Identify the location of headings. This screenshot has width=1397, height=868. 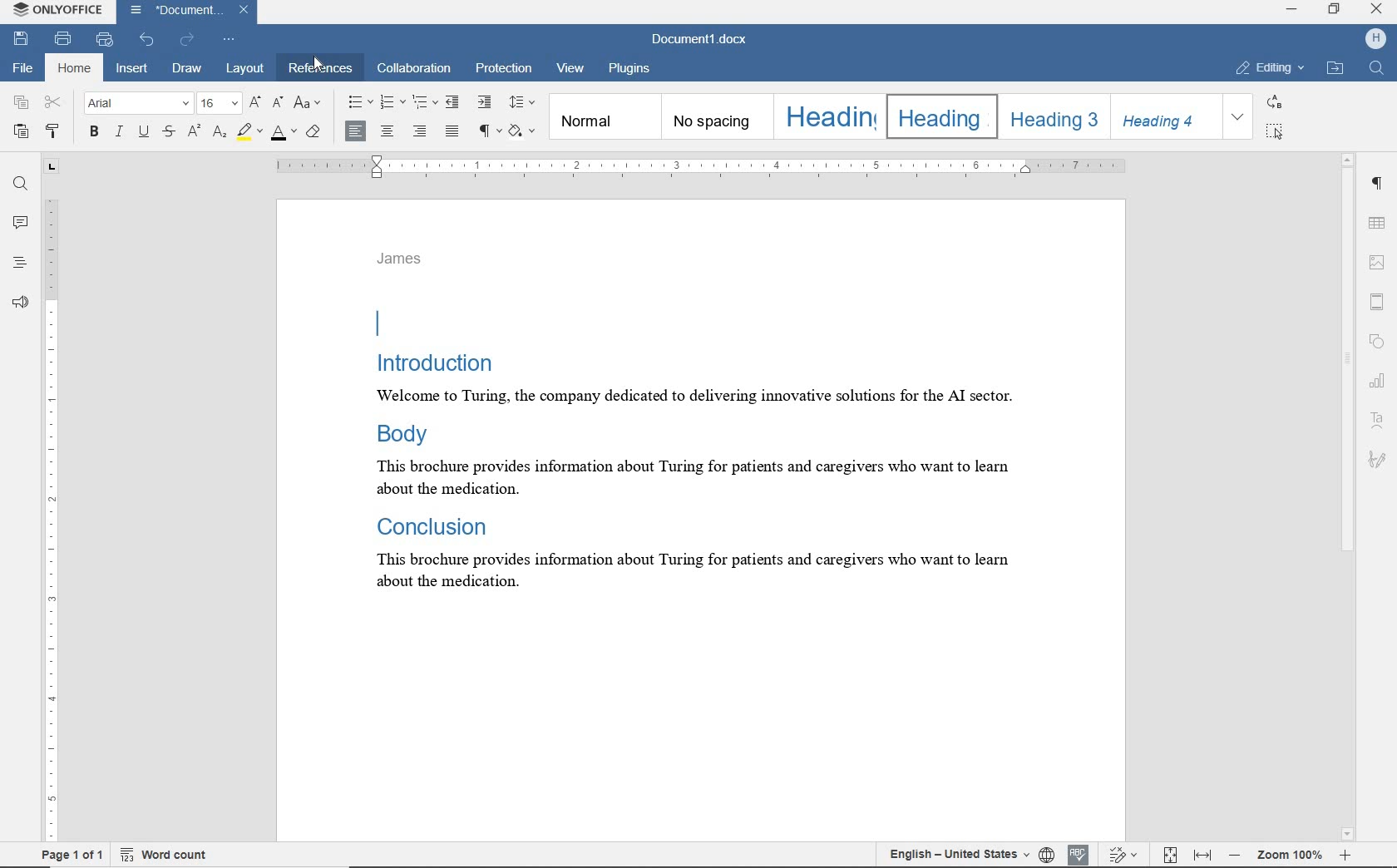
(20, 262).